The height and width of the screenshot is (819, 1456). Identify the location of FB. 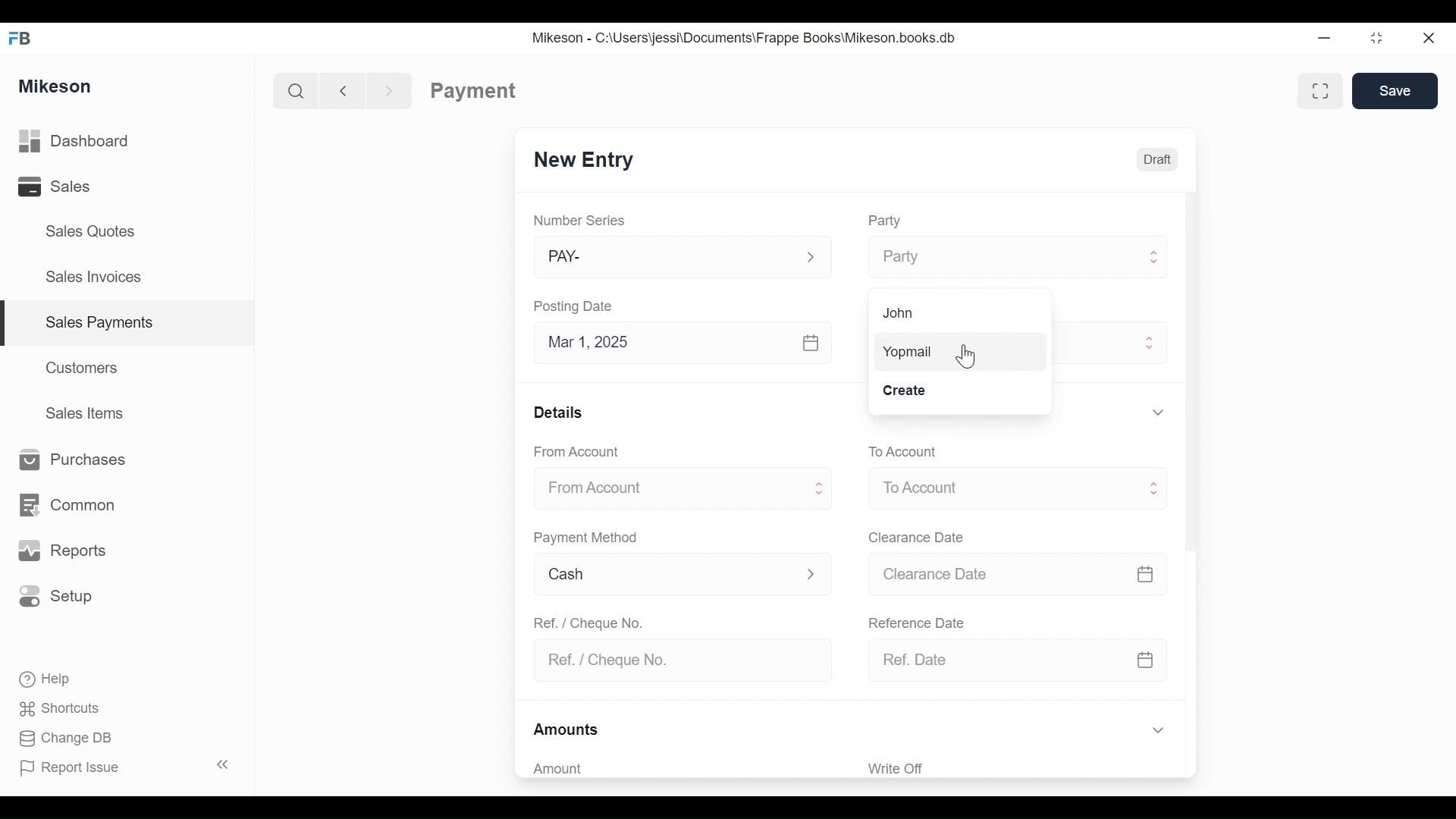
(24, 36).